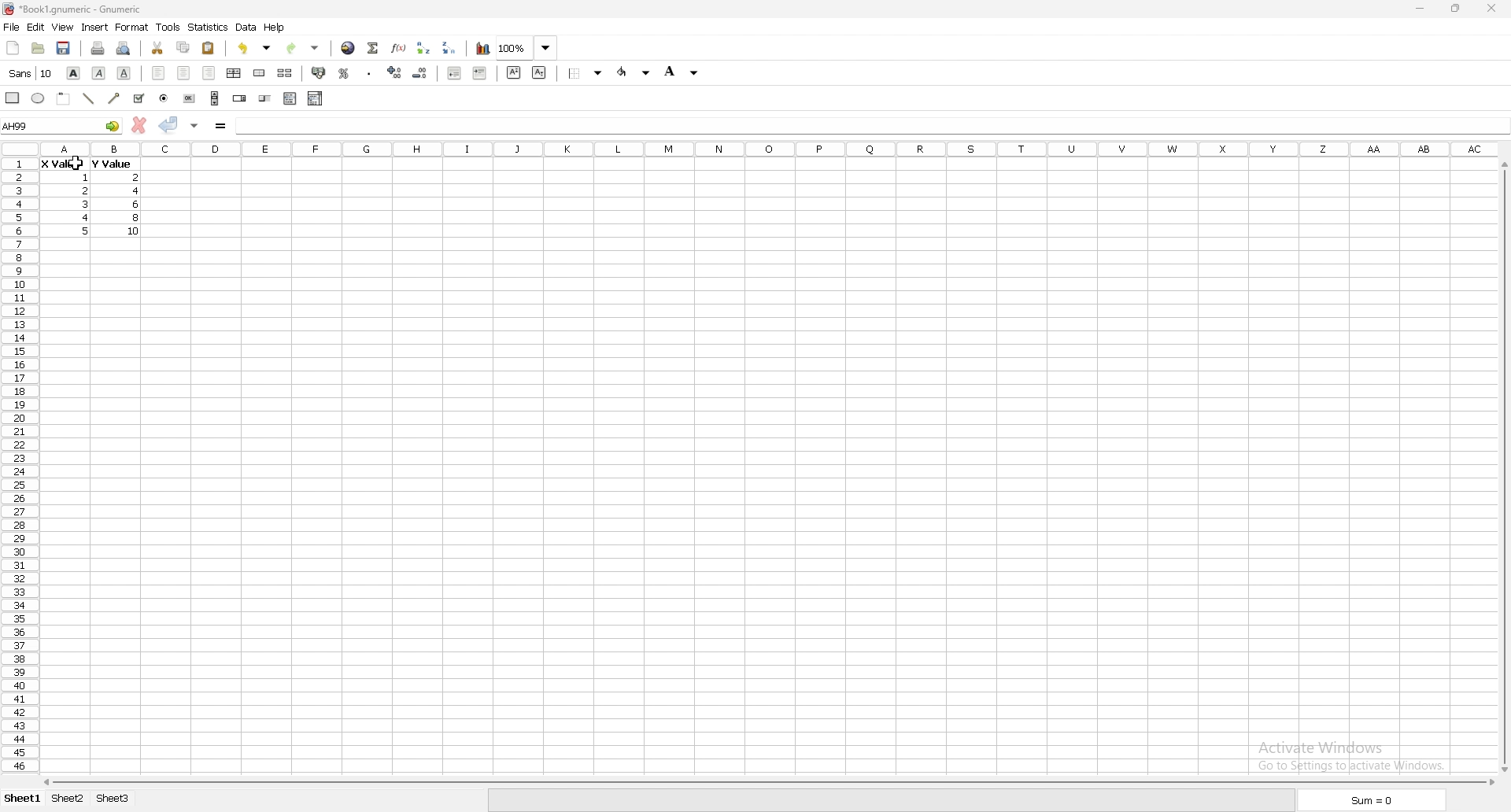  Describe the element at coordinates (138, 98) in the screenshot. I see `tickbox` at that location.